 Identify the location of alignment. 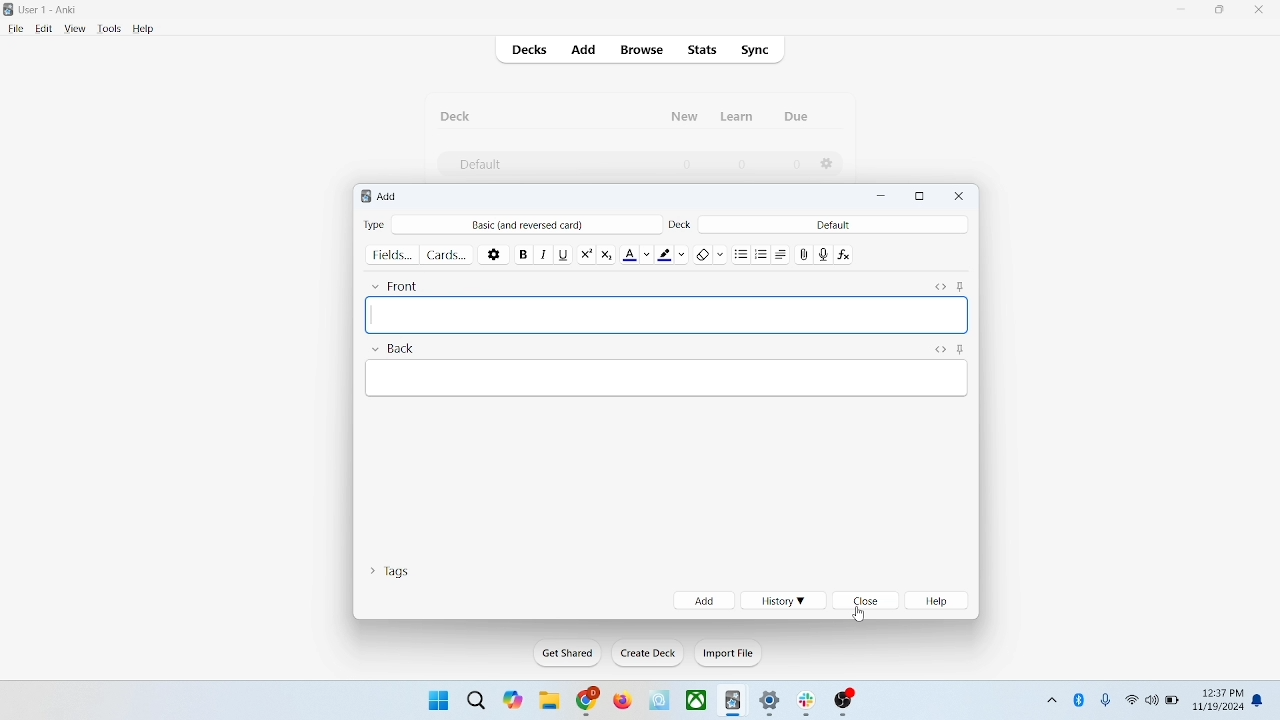
(786, 254).